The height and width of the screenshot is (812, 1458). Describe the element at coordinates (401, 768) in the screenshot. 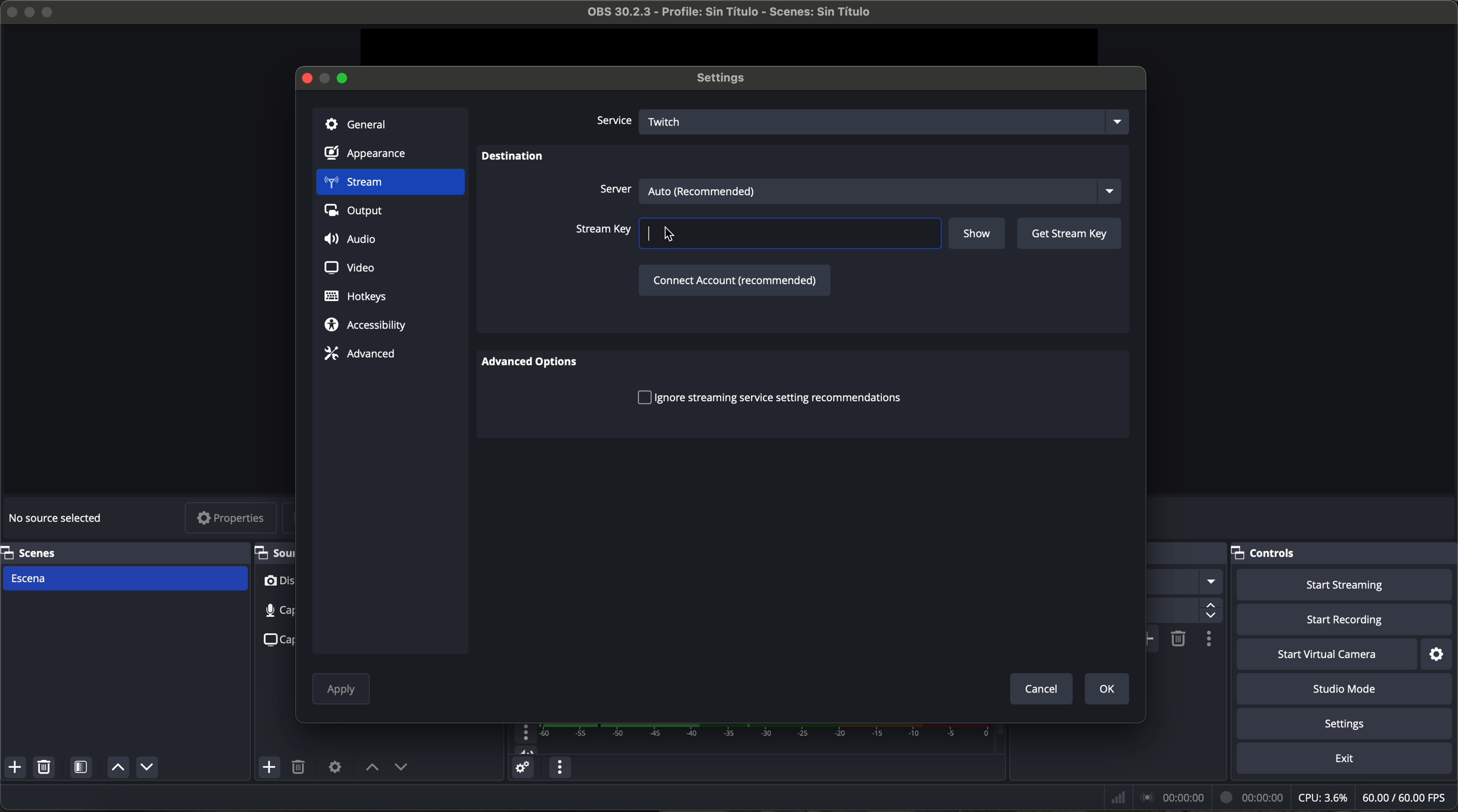

I see `move source down` at that location.